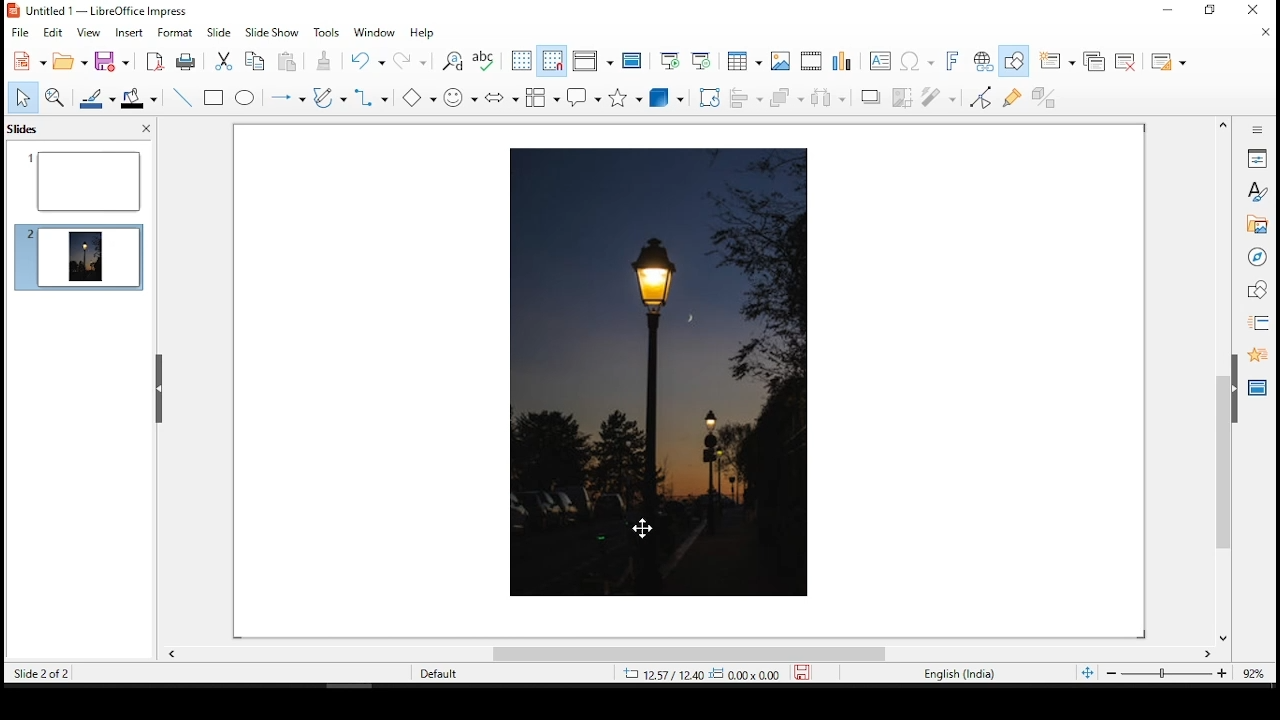 This screenshot has height=720, width=1280. Describe the element at coordinates (1050, 96) in the screenshot. I see `toggle extrusiuon` at that location.